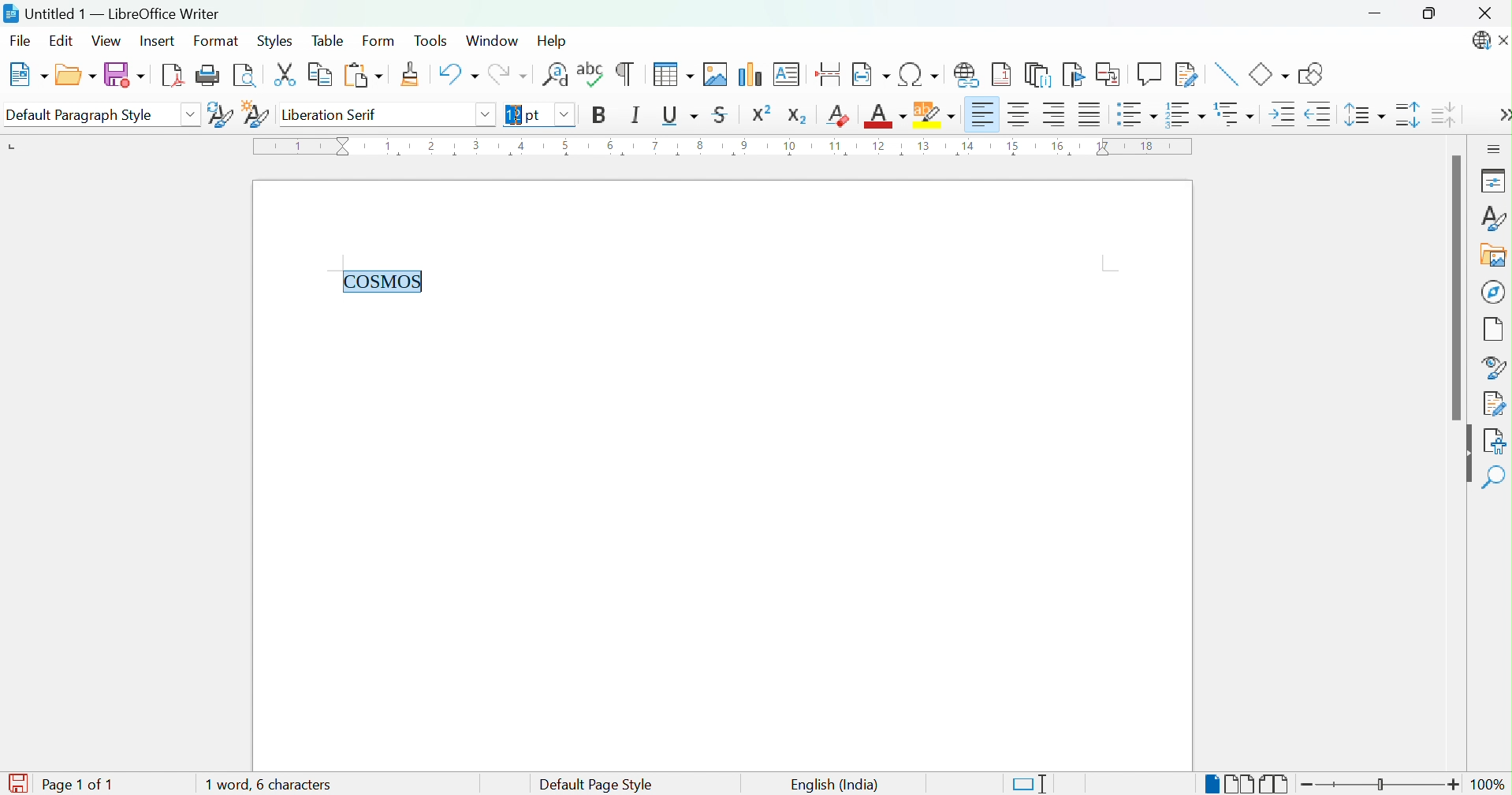  What do you see at coordinates (1268, 74) in the screenshot?
I see `Basic Shapes` at bounding box center [1268, 74].